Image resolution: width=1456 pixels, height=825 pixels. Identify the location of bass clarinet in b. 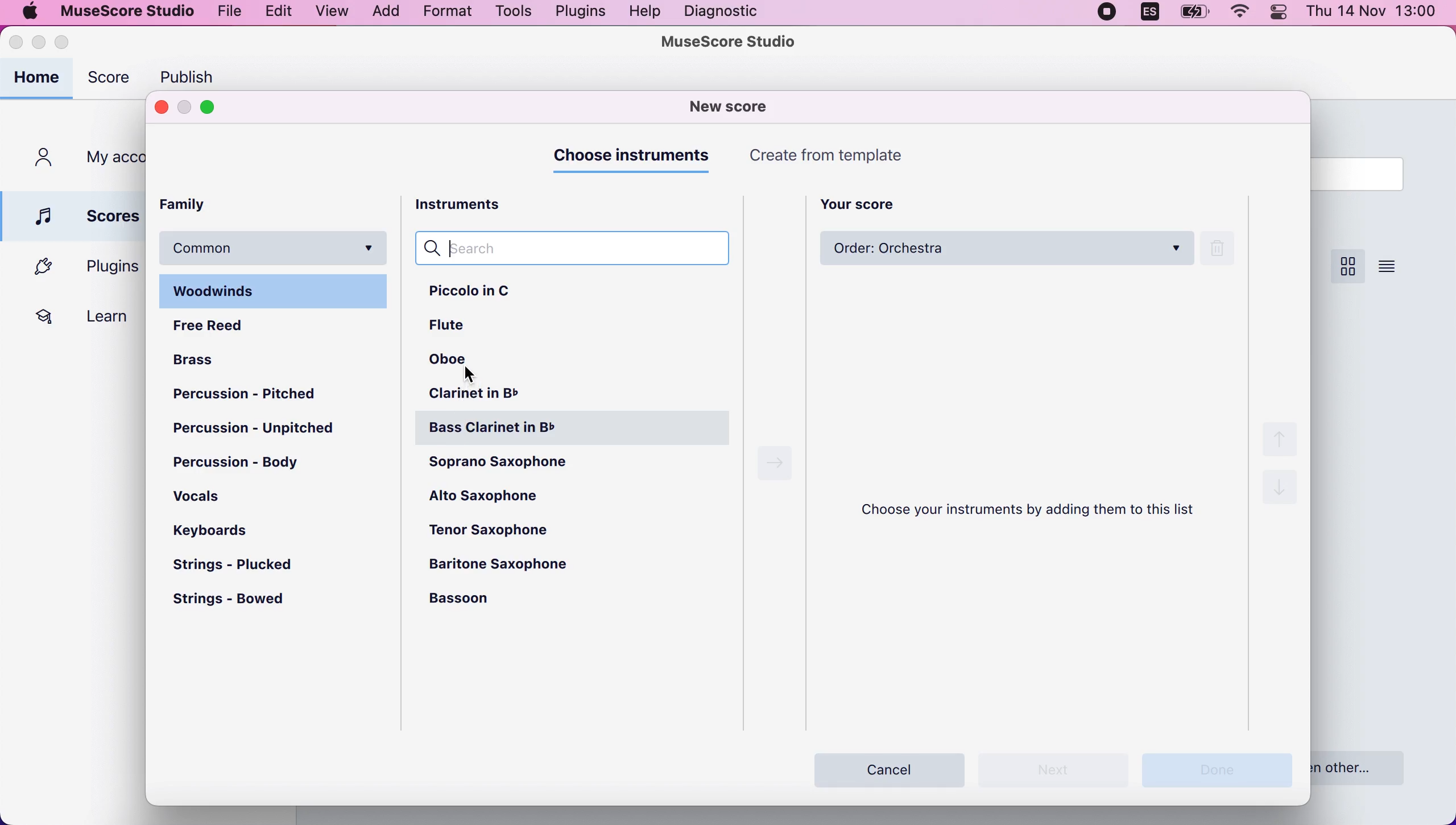
(576, 429).